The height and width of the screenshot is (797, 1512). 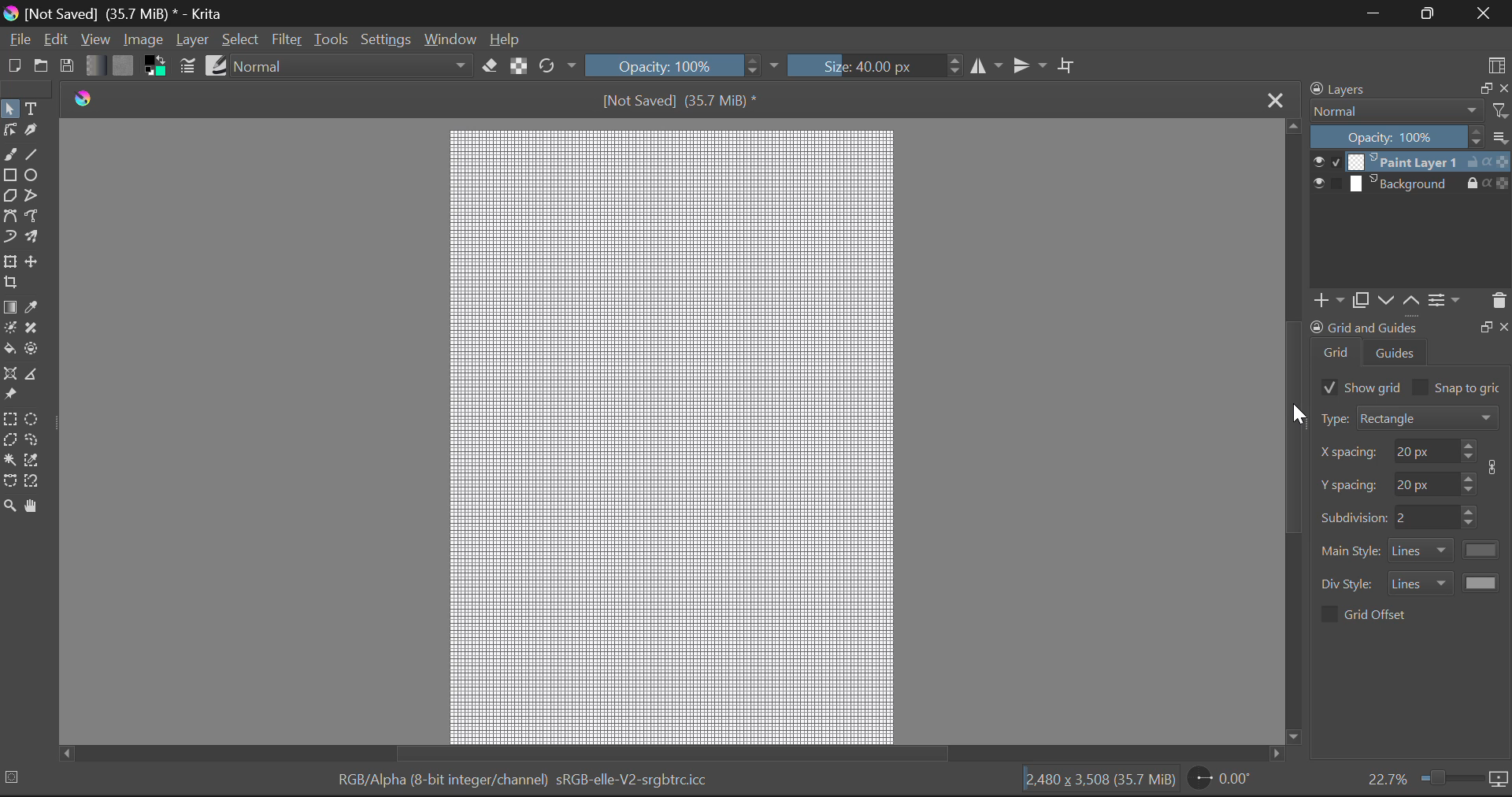 I want to click on Select, so click(x=9, y=109).